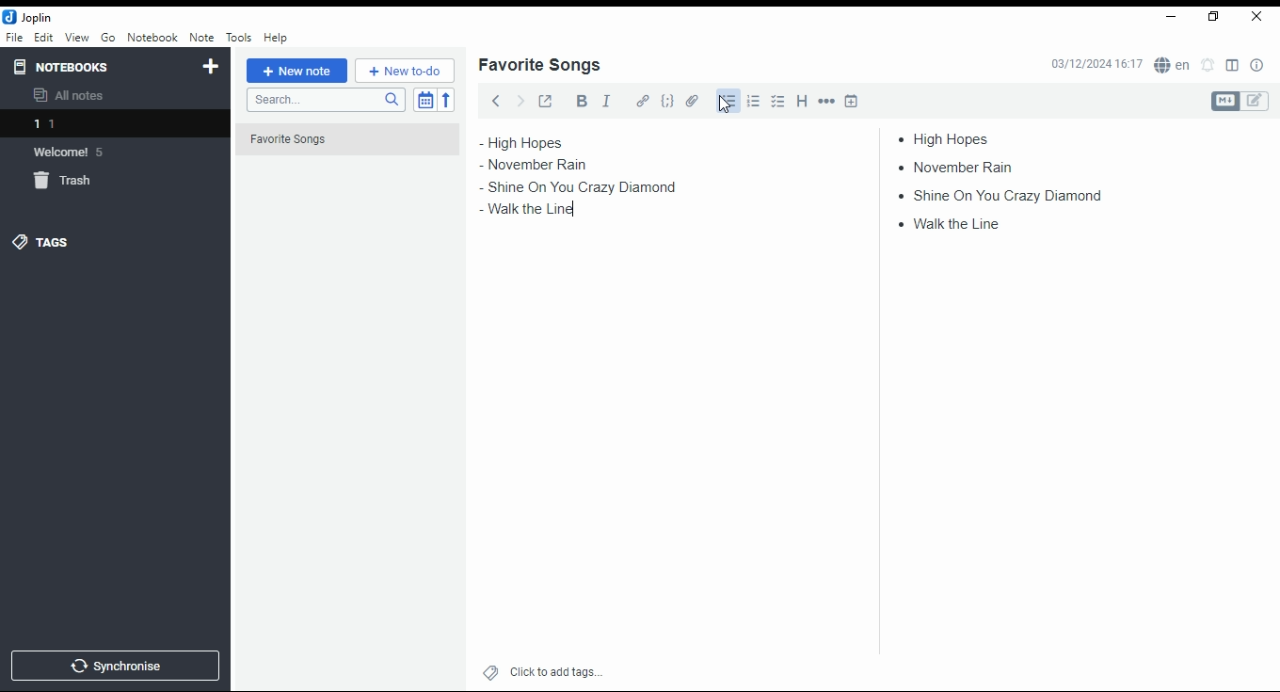 The width and height of the screenshot is (1280, 692). What do you see at coordinates (337, 140) in the screenshot?
I see `Favorite Songs` at bounding box center [337, 140].